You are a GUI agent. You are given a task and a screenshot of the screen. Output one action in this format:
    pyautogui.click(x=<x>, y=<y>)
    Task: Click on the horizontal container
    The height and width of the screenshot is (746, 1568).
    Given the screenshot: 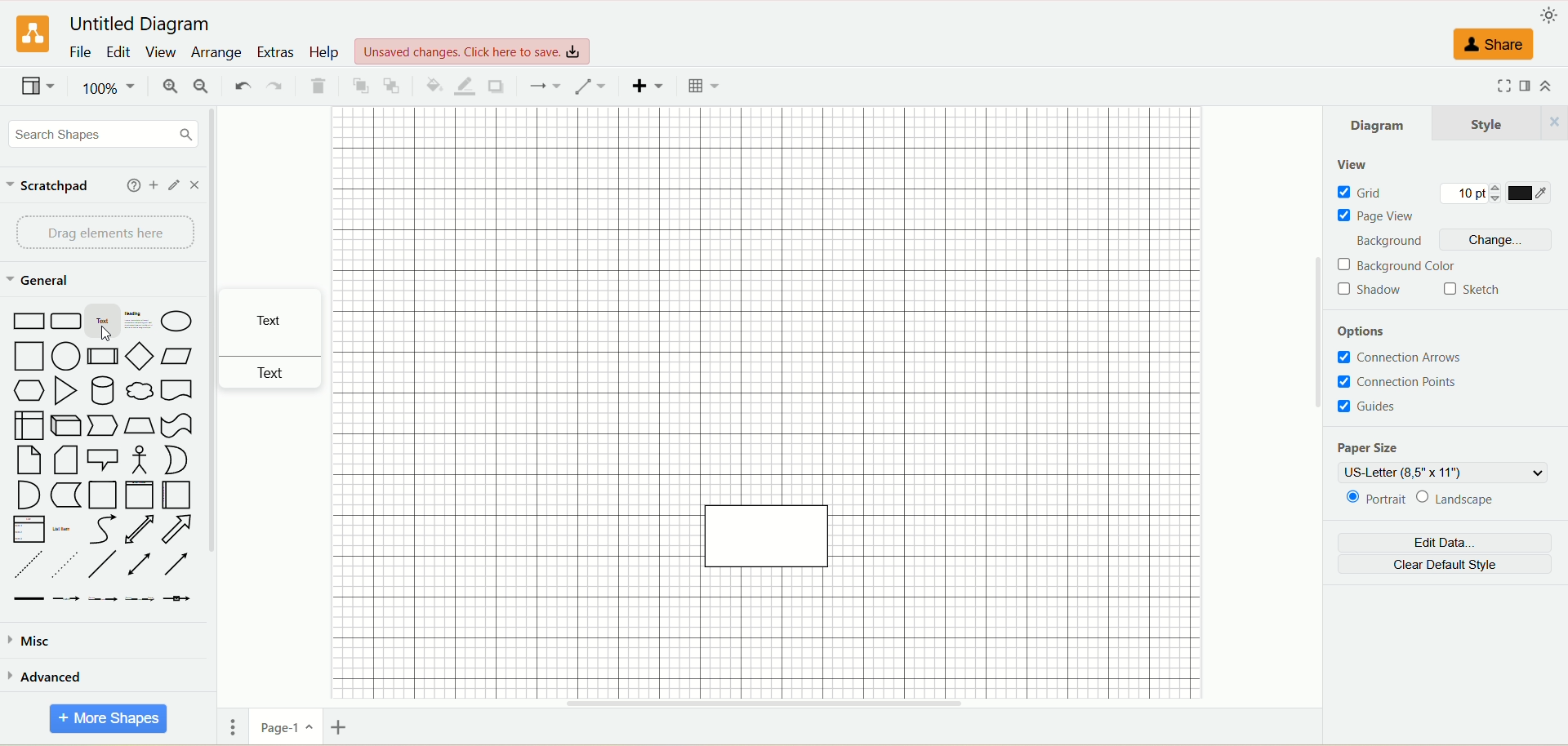 What is the action you would take?
    pyautogui.click(x=174, y=495)
    